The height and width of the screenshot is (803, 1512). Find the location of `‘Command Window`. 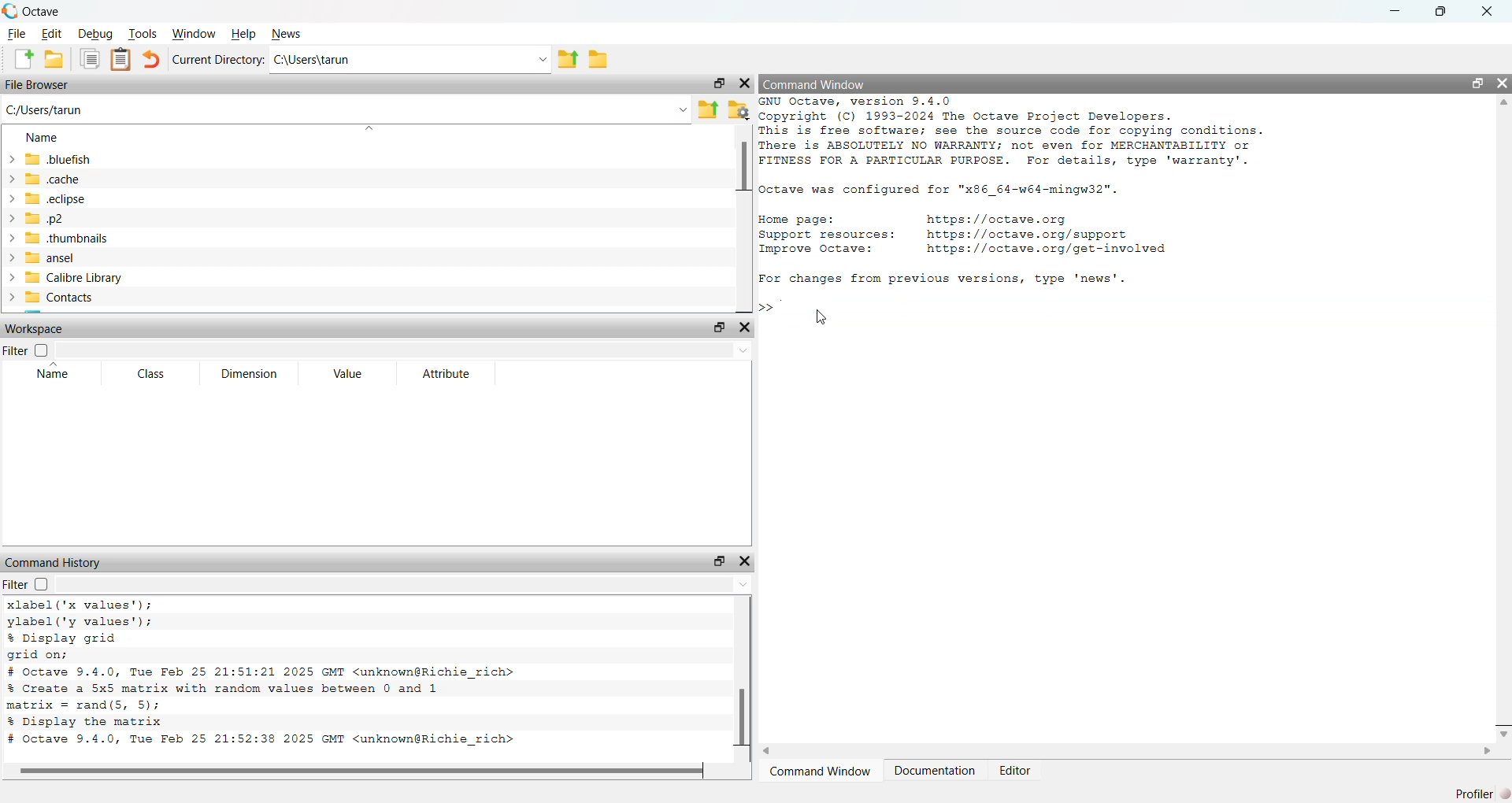

‘Command Window is located at coordinates (820, 772).